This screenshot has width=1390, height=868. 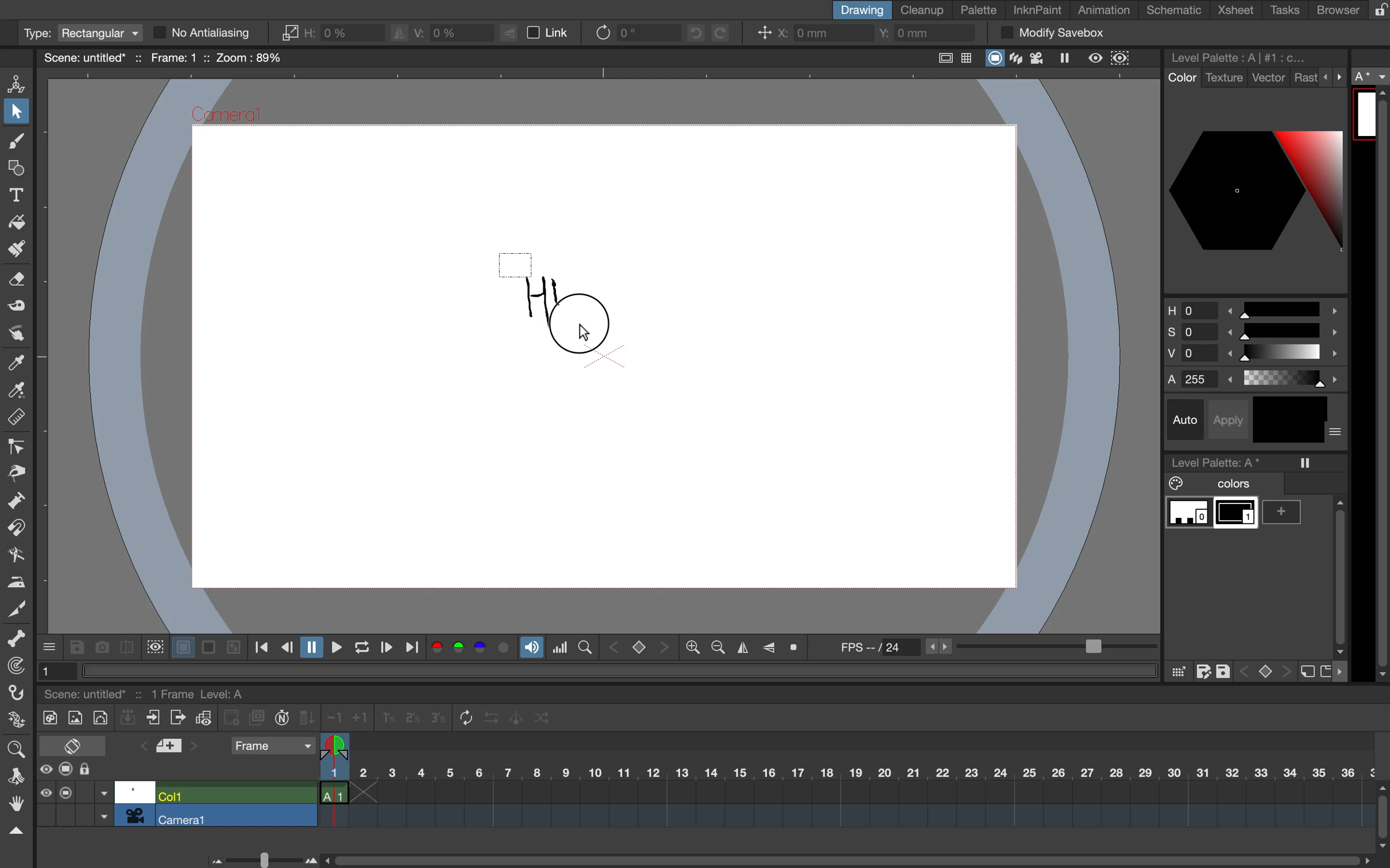 What do you see at coordinates (176, 718) in the screenshot?
I see `open x subsheet` at bounding box center [176, 718].